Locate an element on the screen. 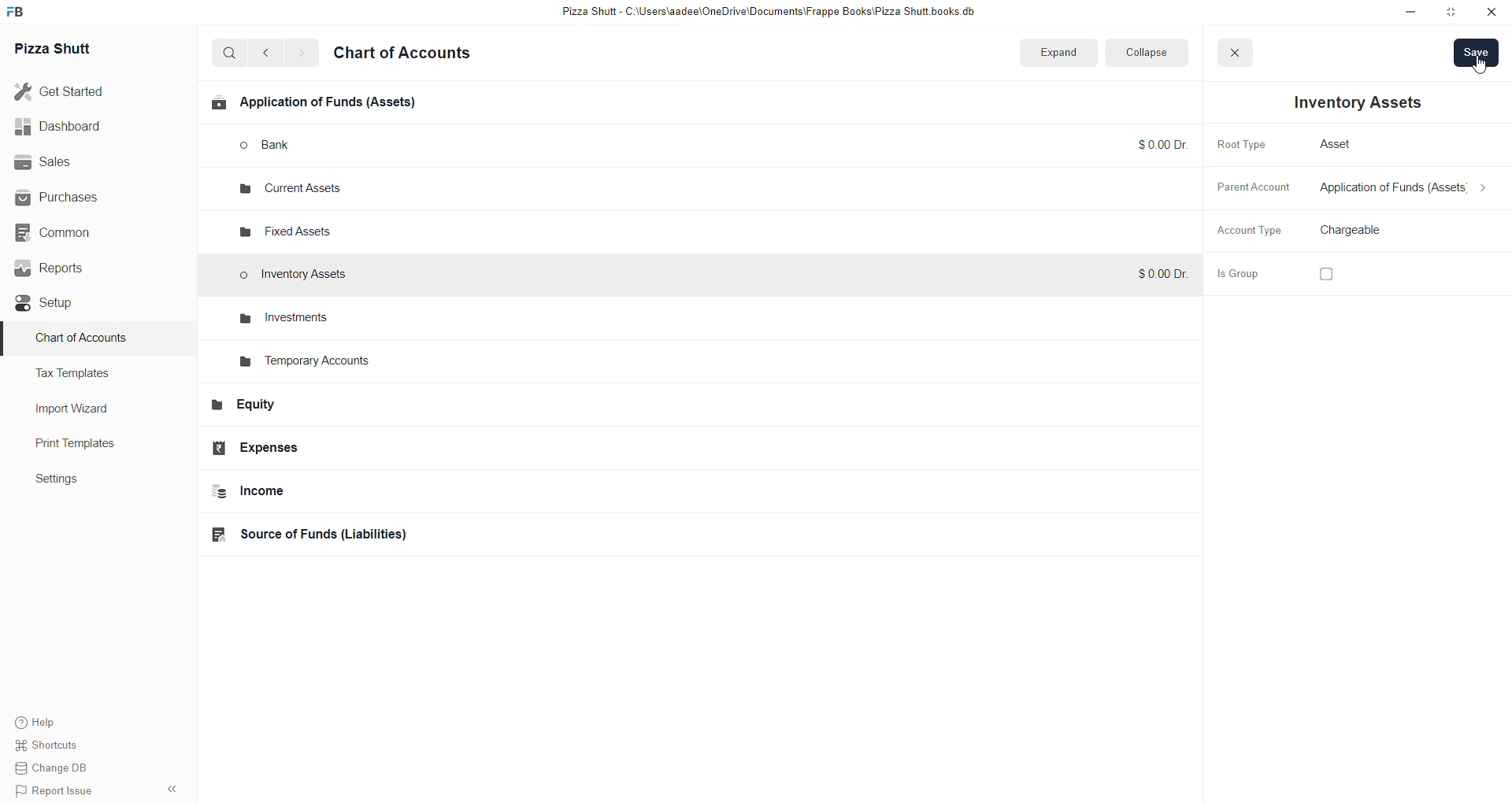 The image size is (1512, 803). fixed assets is located at coordinates (291, 228).